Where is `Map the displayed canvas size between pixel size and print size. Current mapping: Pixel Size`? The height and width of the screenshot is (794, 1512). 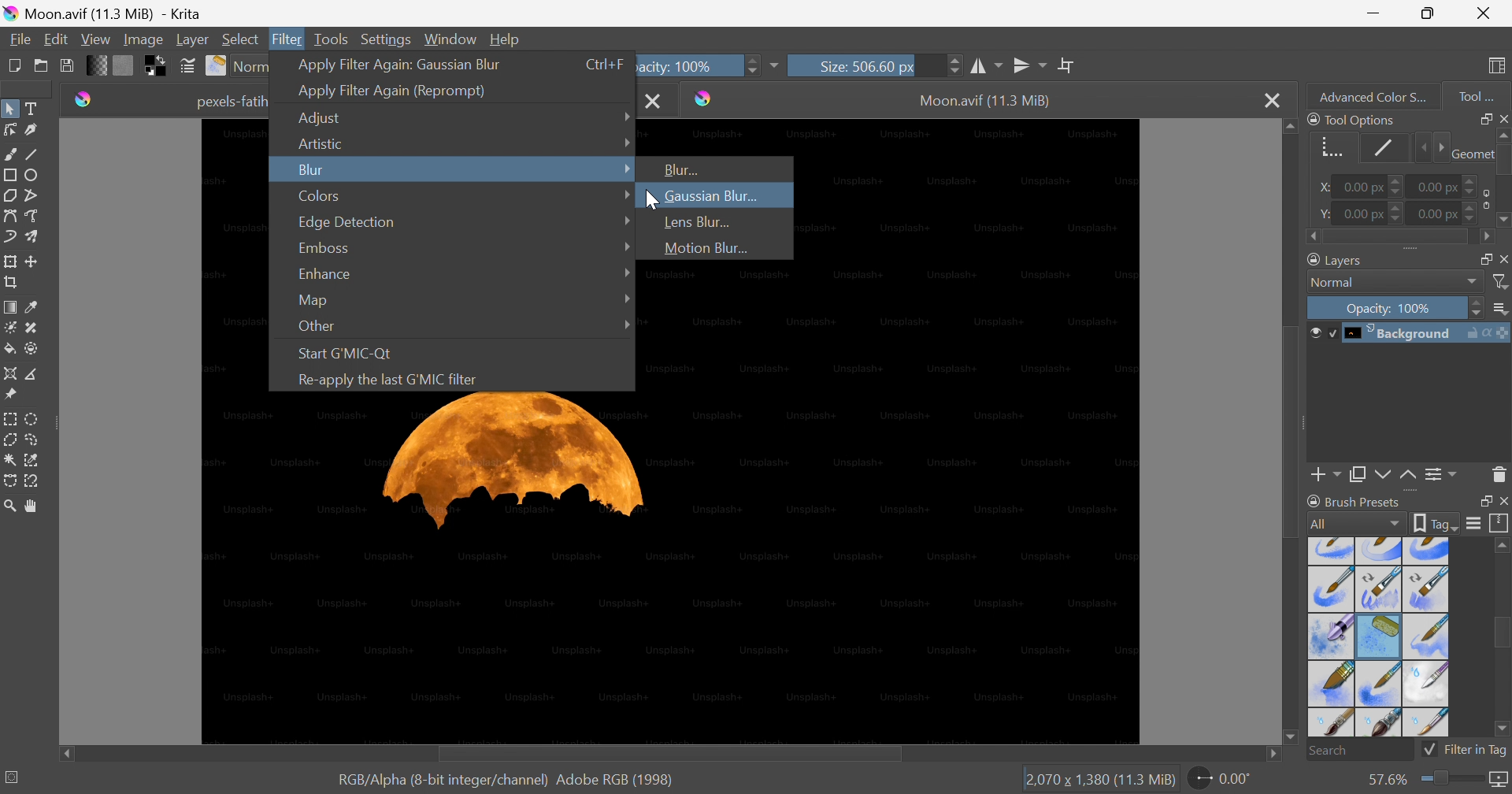
Map the displayed canvas size between pixel size and print size. Current mapping: Pixel Size is located at coordinates (1502, 781).